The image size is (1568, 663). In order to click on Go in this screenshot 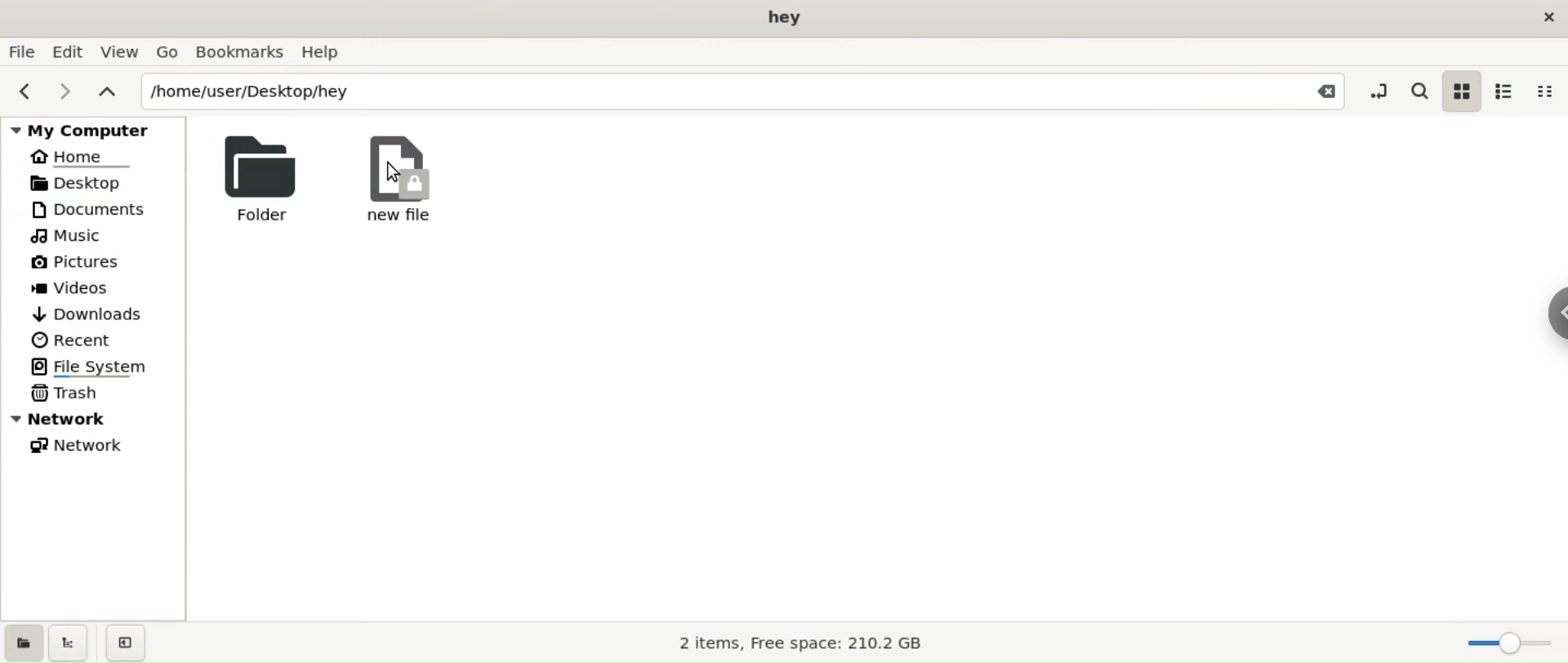, I will do `click(167, 51)`.